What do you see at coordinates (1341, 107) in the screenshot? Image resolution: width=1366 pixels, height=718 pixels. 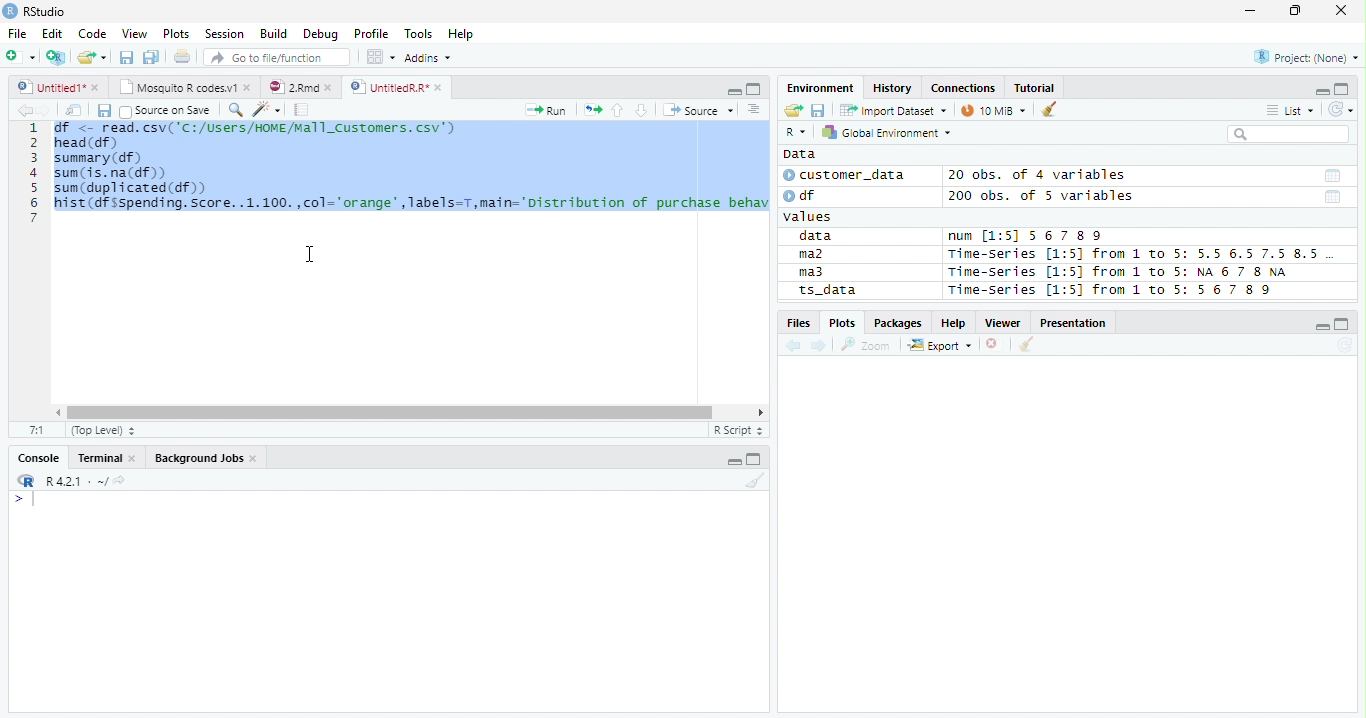 I see `Refresh` at bounding box center [1341, 107].